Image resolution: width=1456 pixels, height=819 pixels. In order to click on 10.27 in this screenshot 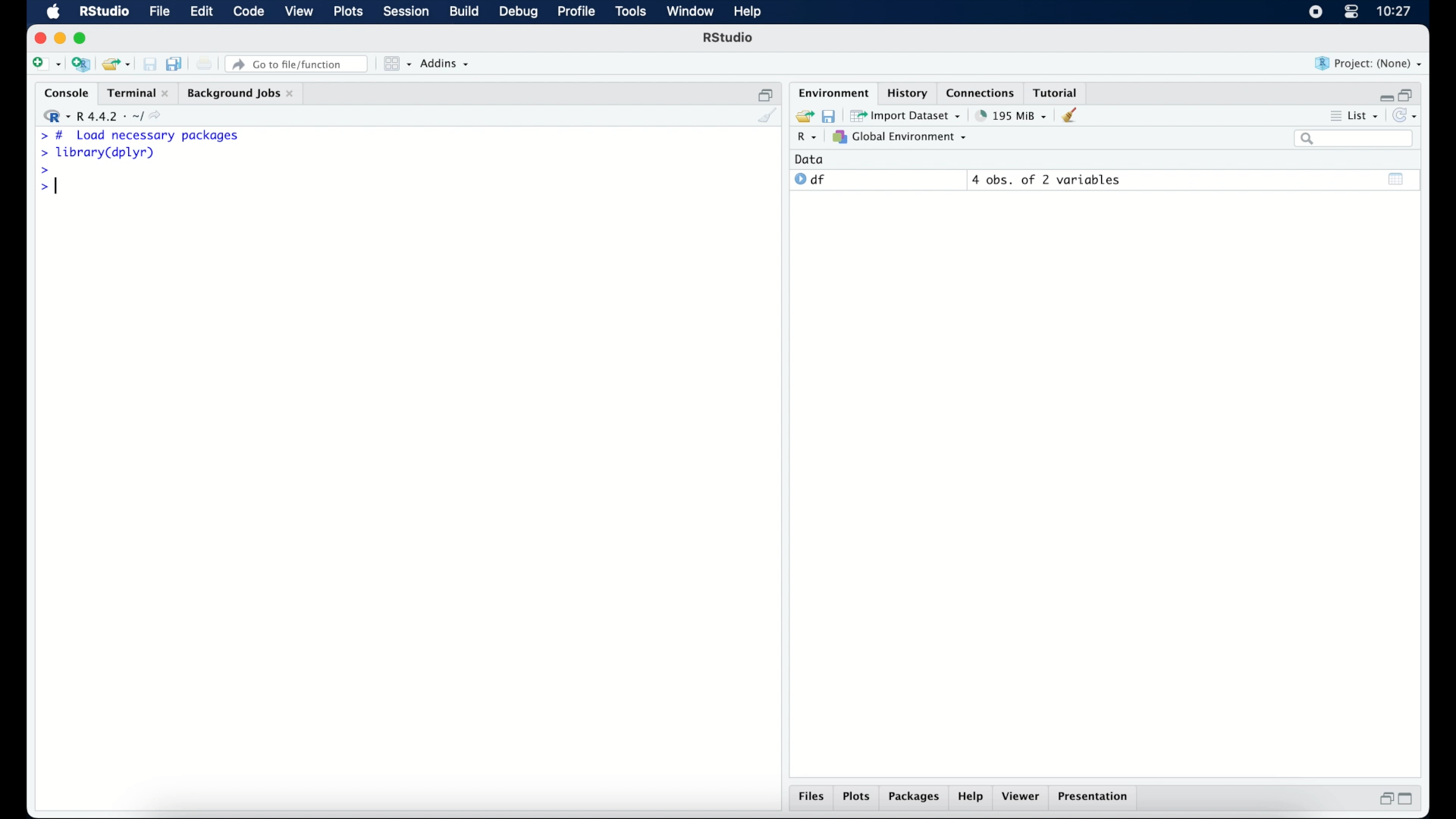, I will do `click(1394, 11)`.